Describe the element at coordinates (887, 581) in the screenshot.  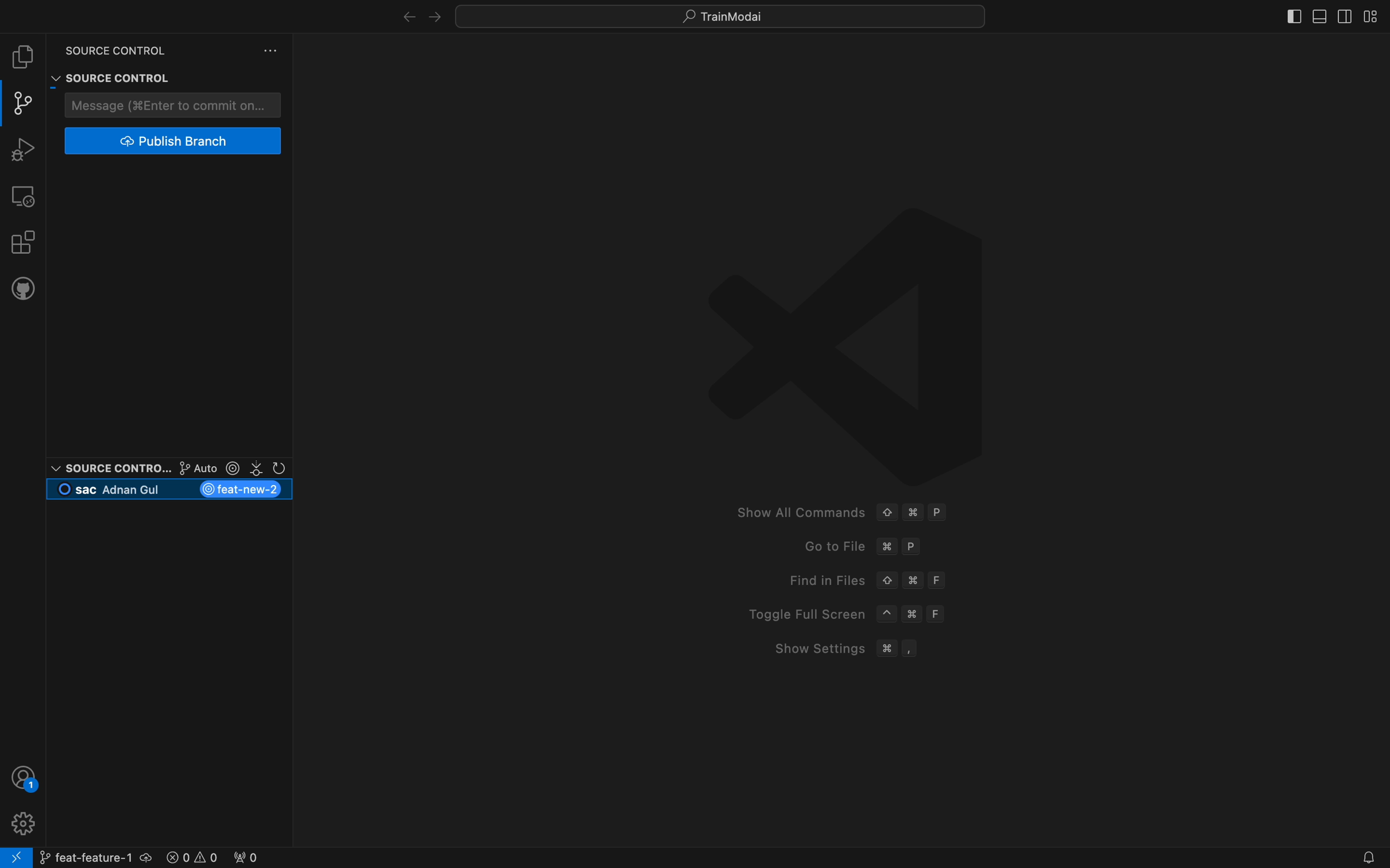
I see `Up` at that location.